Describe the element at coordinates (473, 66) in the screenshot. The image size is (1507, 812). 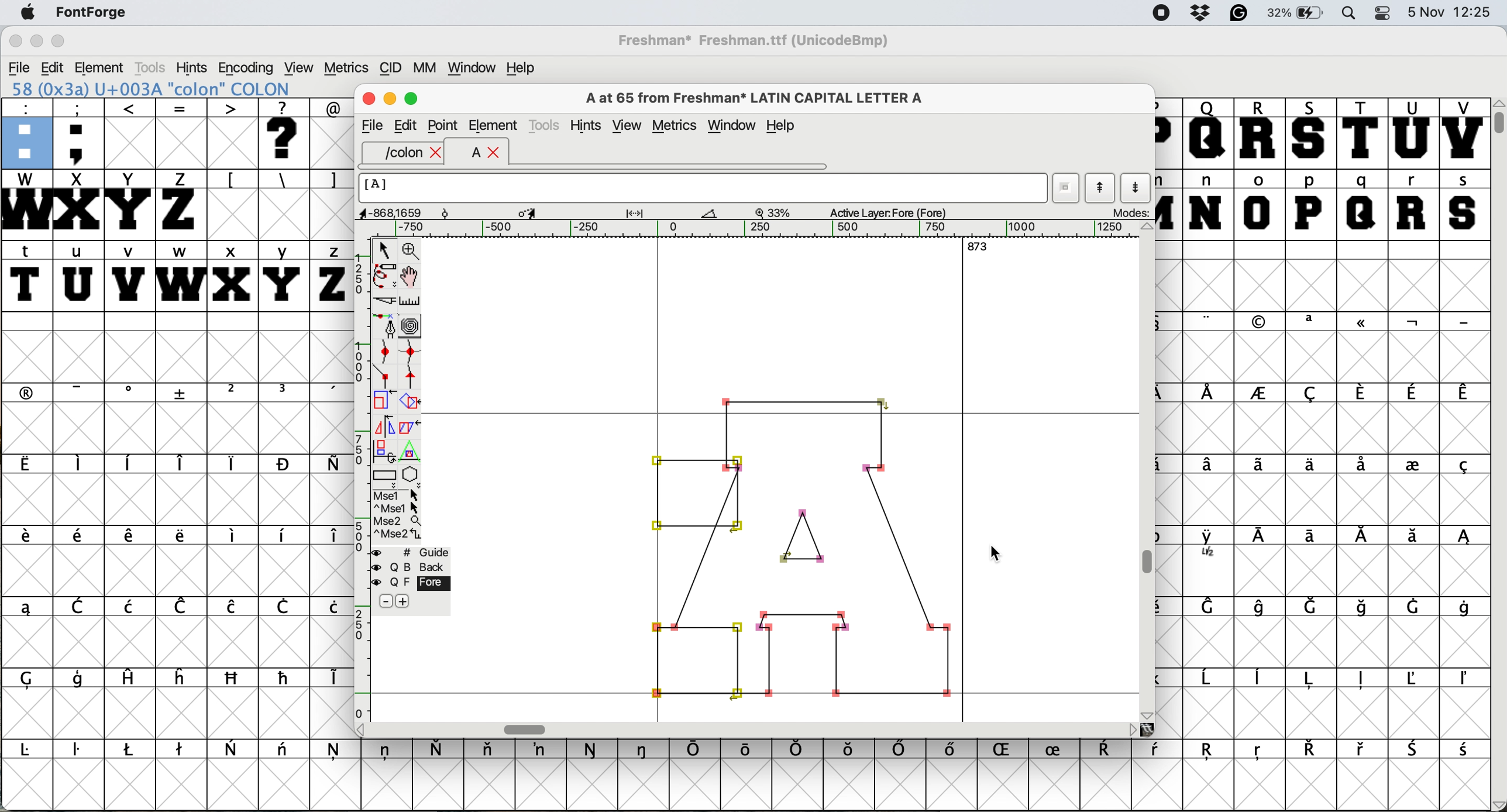
I see `window` at that location.